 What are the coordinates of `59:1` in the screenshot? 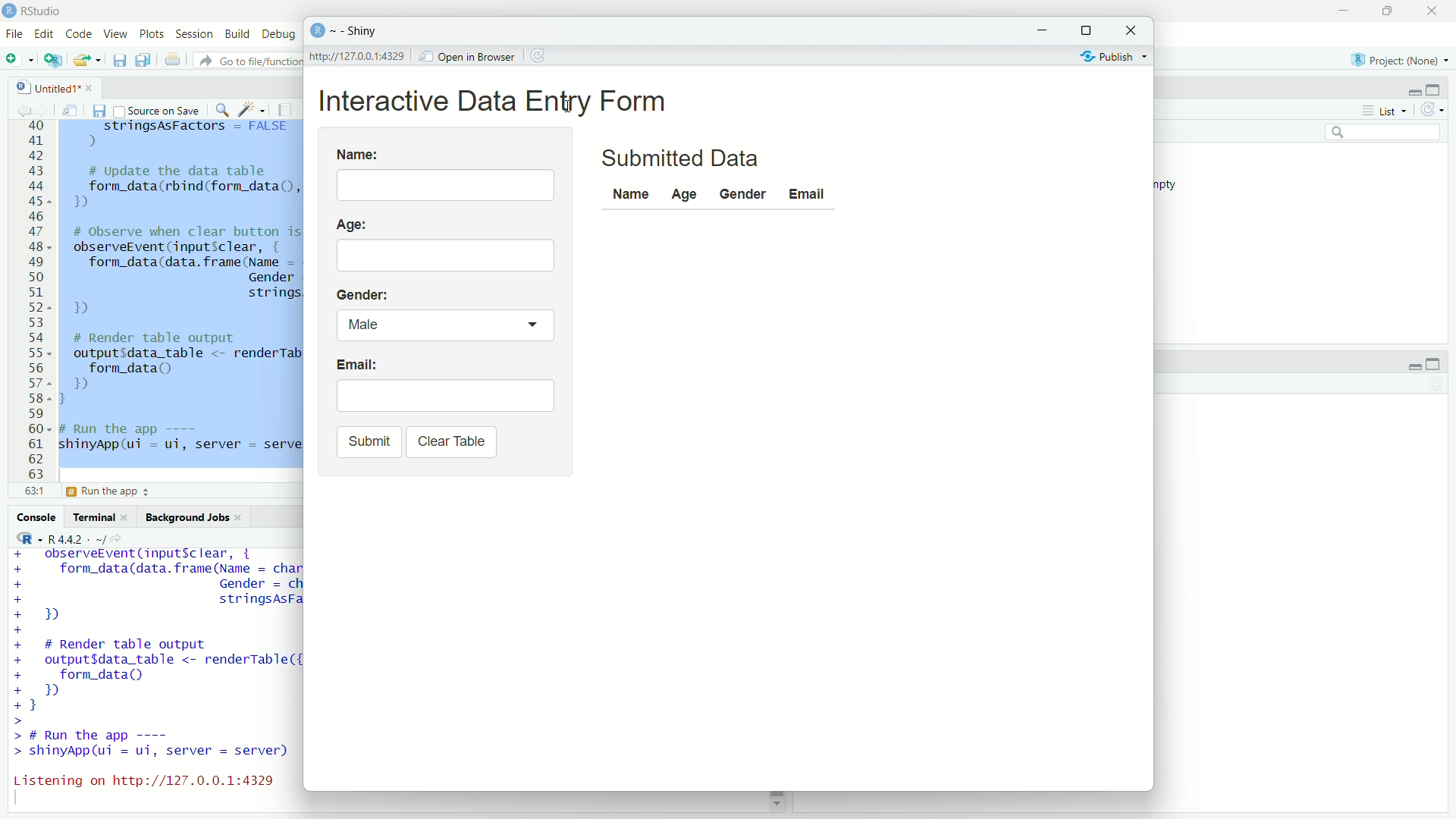 It's located at (33, 494).